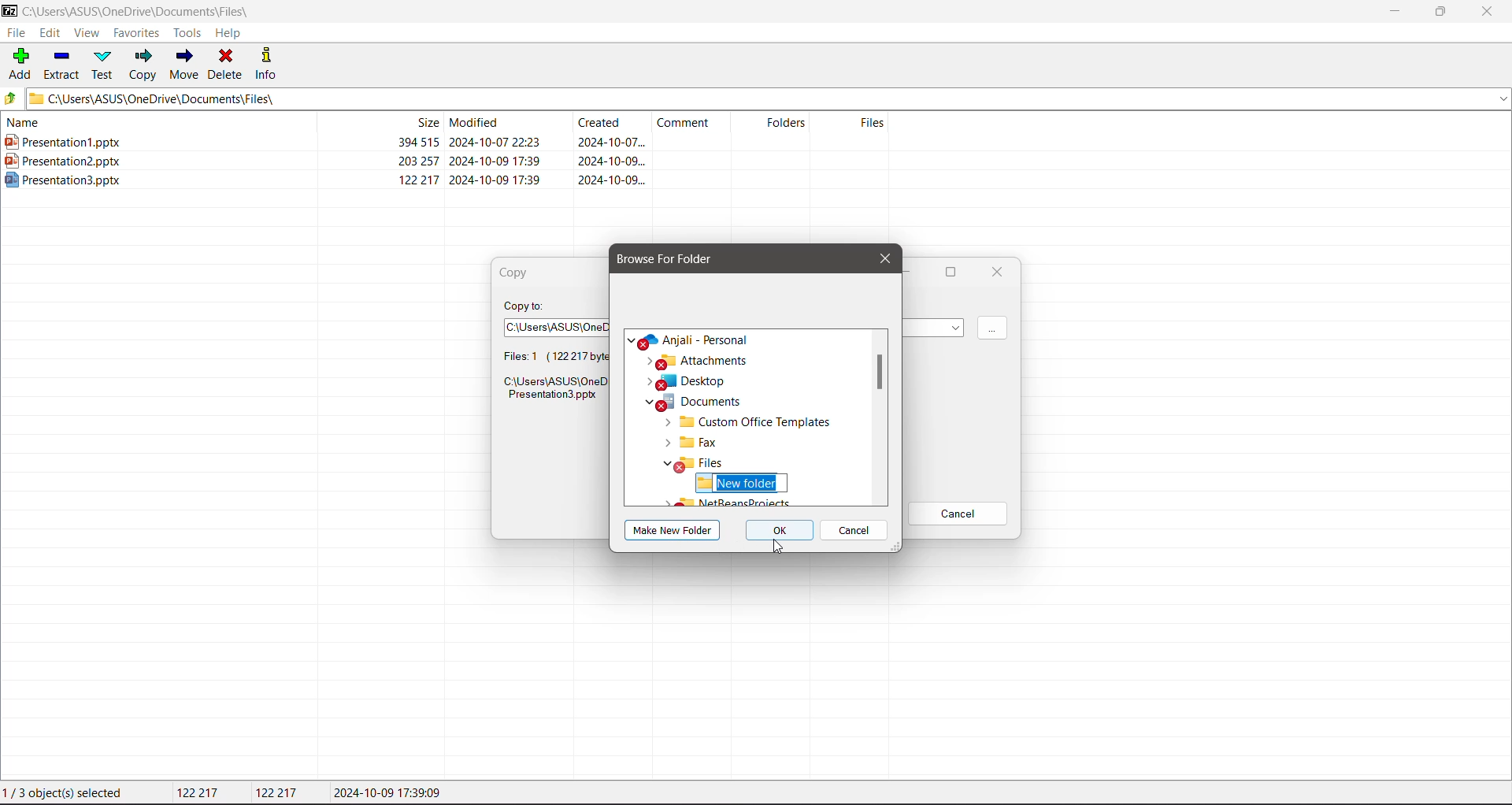 This screenshot has height=805, width=1512. I want to click on Click to Browse for more location, so click(992, 329).